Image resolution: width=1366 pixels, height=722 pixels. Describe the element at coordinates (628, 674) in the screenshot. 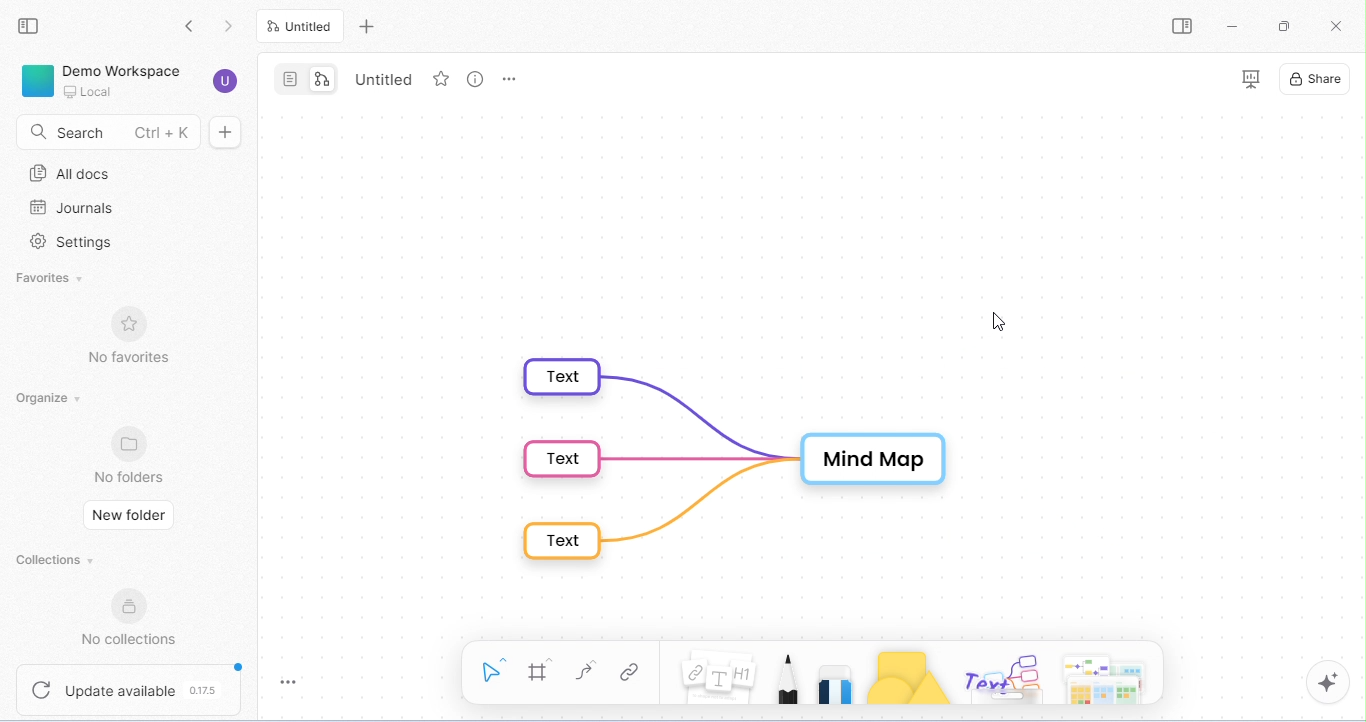

I see `link` at that location.